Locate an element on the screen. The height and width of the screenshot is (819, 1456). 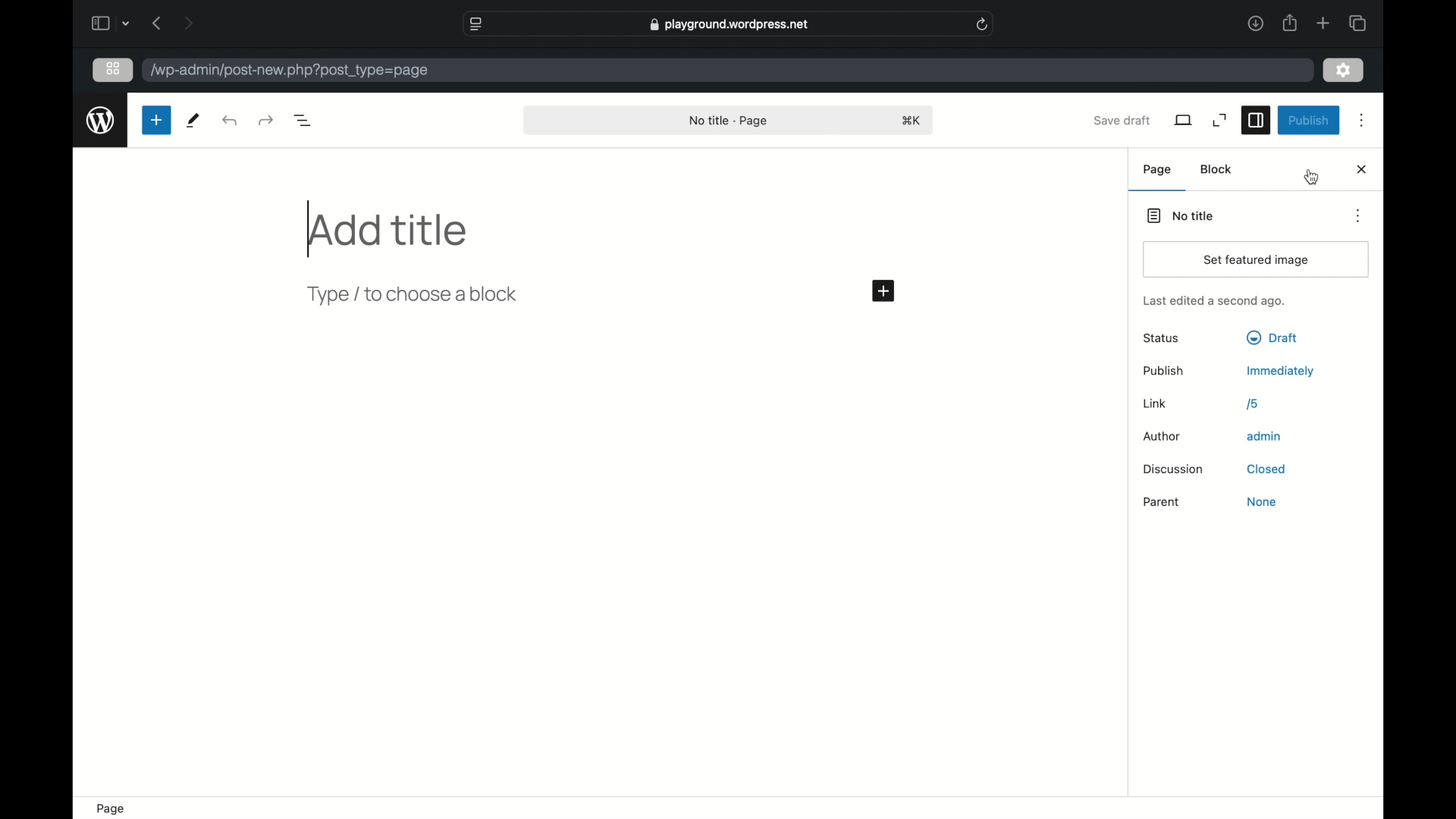
more options is located at coordinates (1360, 215).